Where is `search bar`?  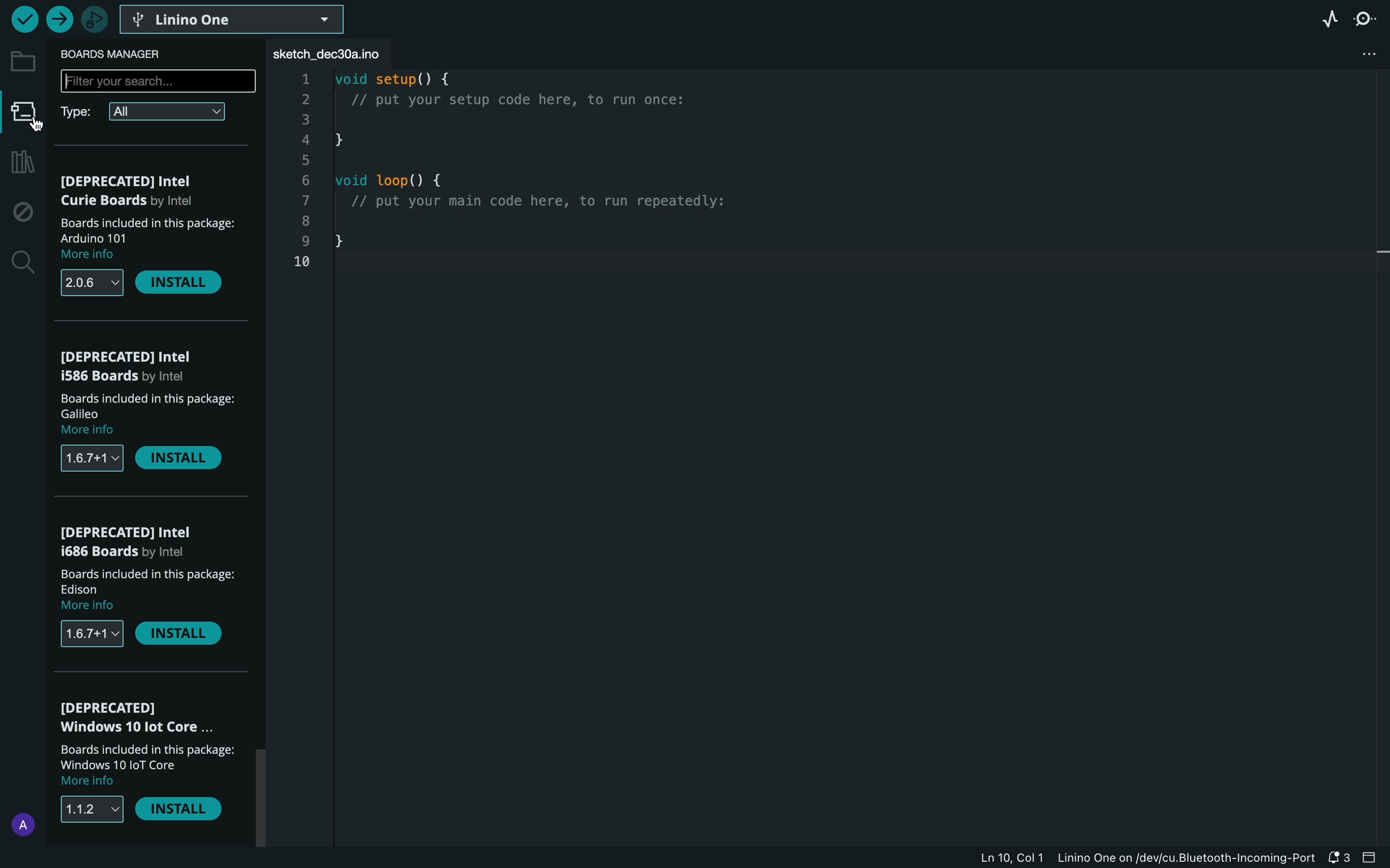 search bar is located at coordinates (159, 82).